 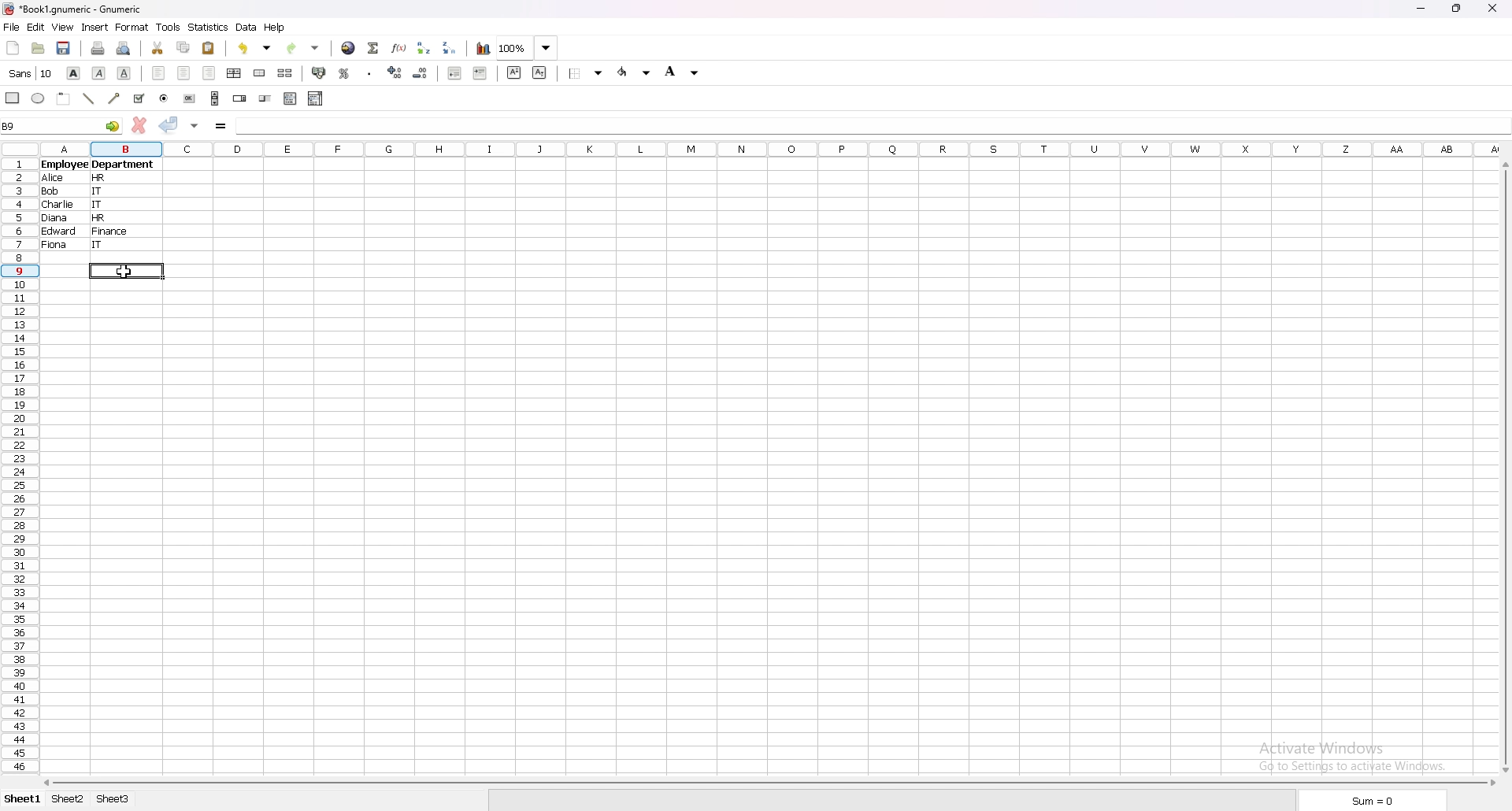 What do you see at coordinates (62, 27) in the screenshot?
I see `view` at bounding box center [62, 27].